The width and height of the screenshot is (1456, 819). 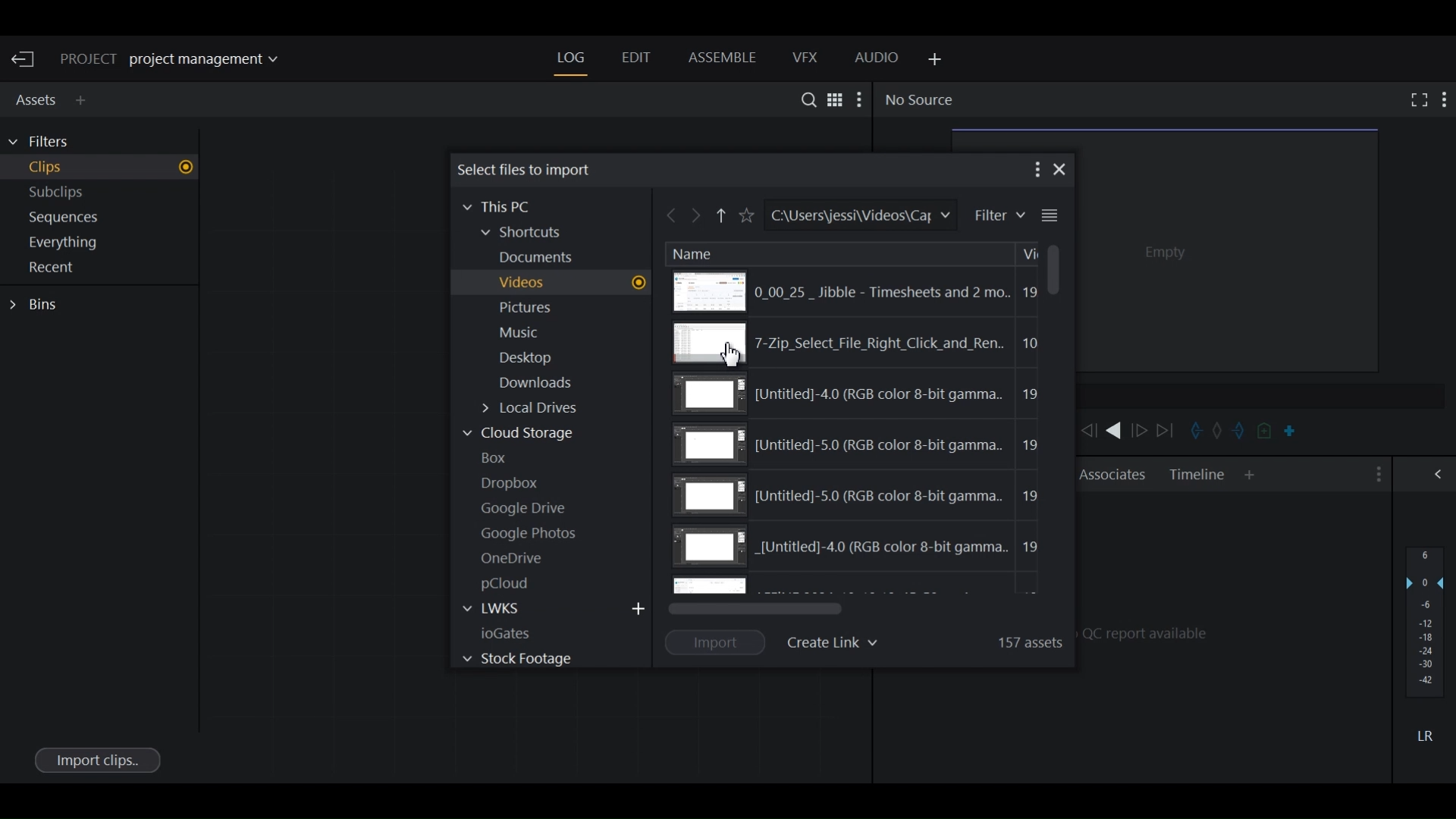 What do you see at coordinates (1250, 475) in the screenshot?
I see `Add Panel` at bounding box center [1250, 475].